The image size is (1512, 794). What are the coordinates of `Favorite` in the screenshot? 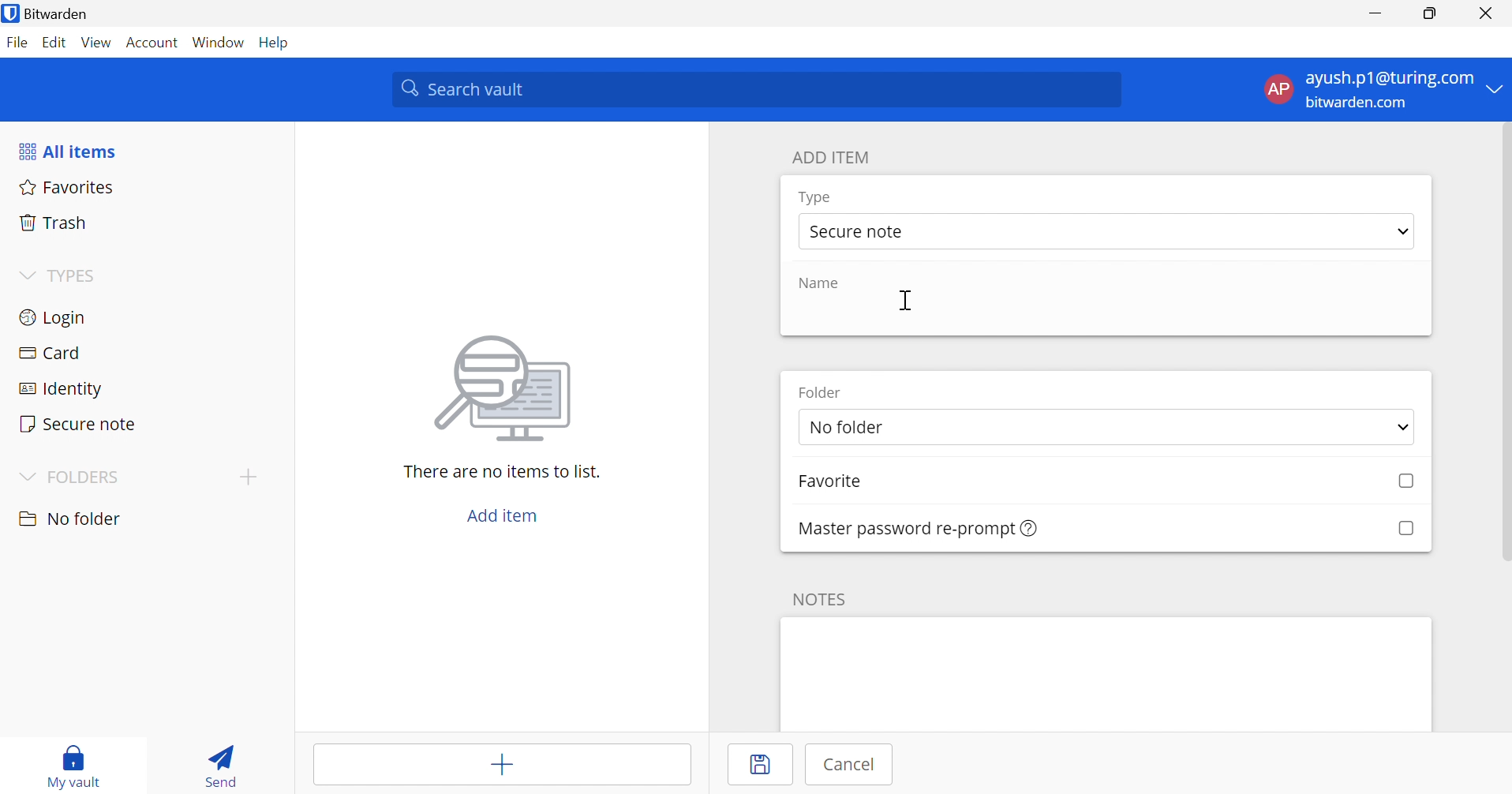 It's located at (847, 483).